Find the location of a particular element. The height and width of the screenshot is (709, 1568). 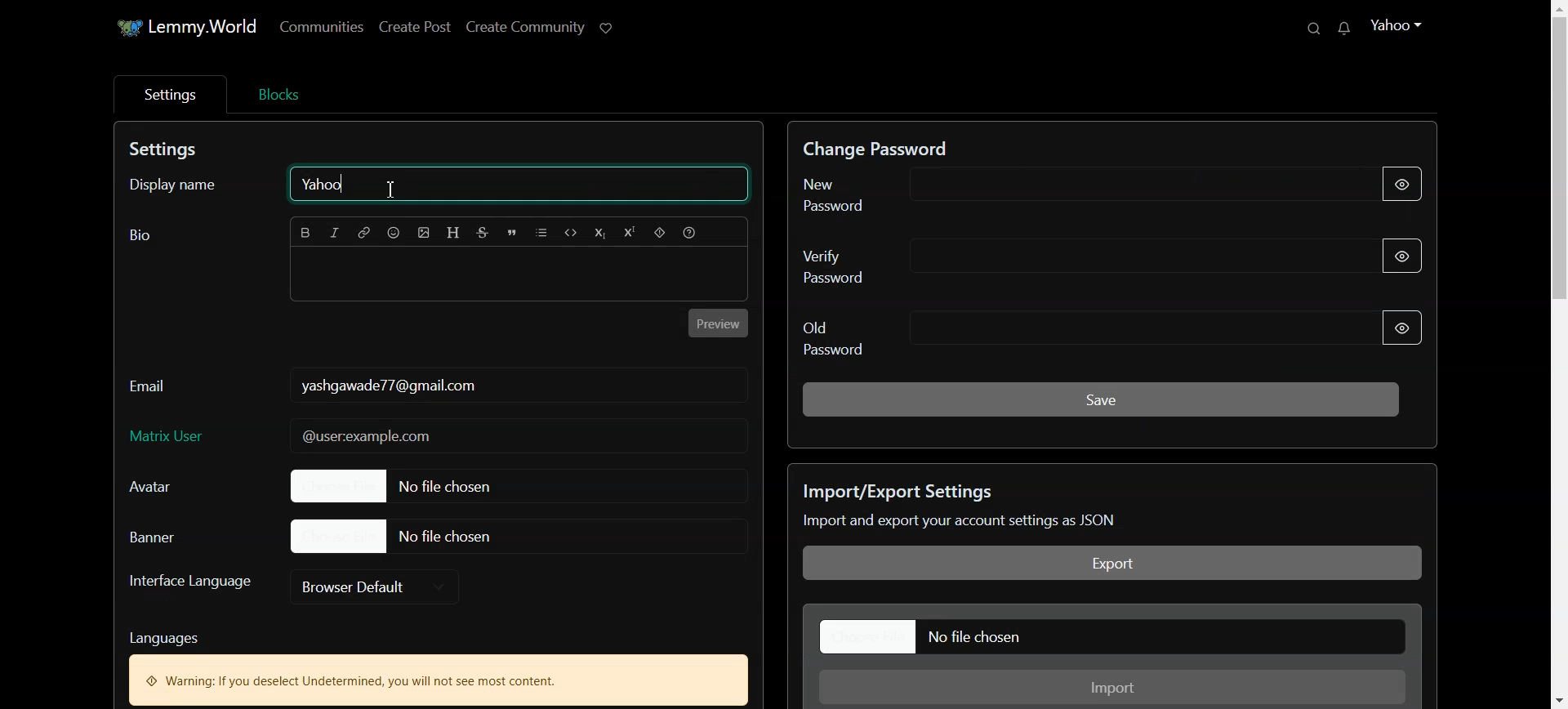

Text is located at coordinates (438, 664).